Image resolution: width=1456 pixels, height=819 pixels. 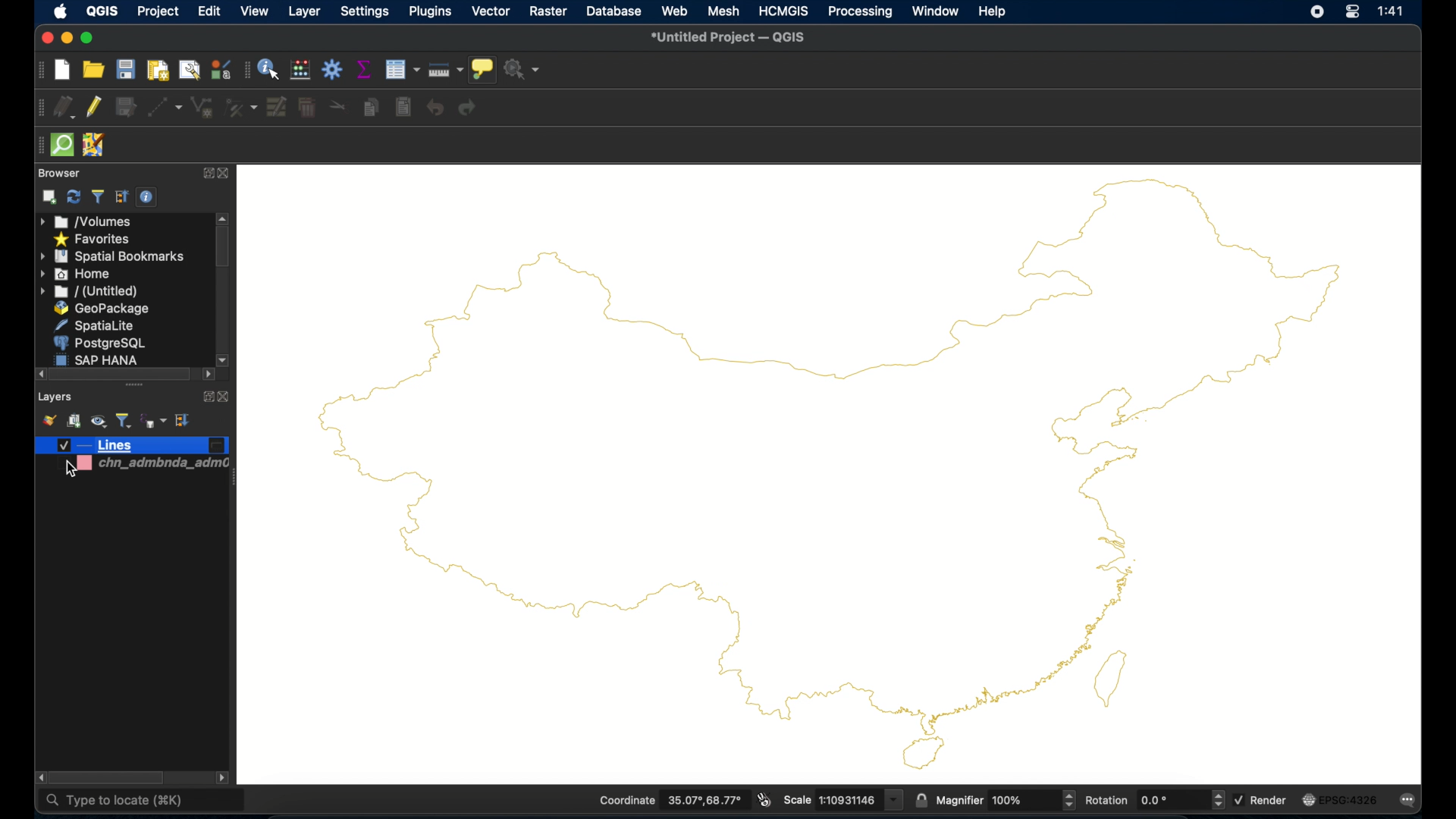 What do you see at coordinates (101, 11) in the screenshot?
I see `QGIS` at bounding box center [101, 11].